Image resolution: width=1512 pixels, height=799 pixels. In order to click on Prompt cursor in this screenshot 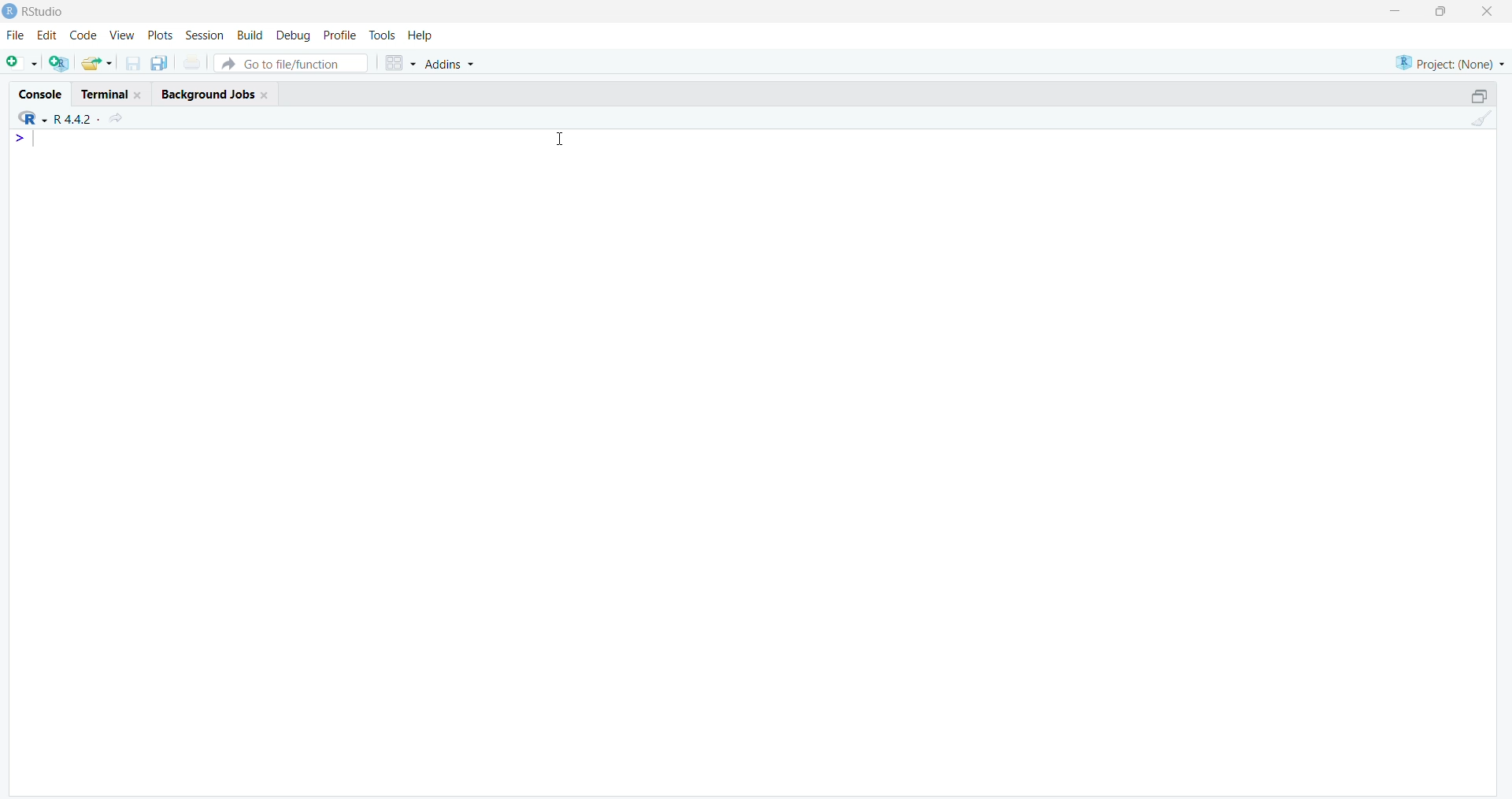, I will do `click(24, 141)`.